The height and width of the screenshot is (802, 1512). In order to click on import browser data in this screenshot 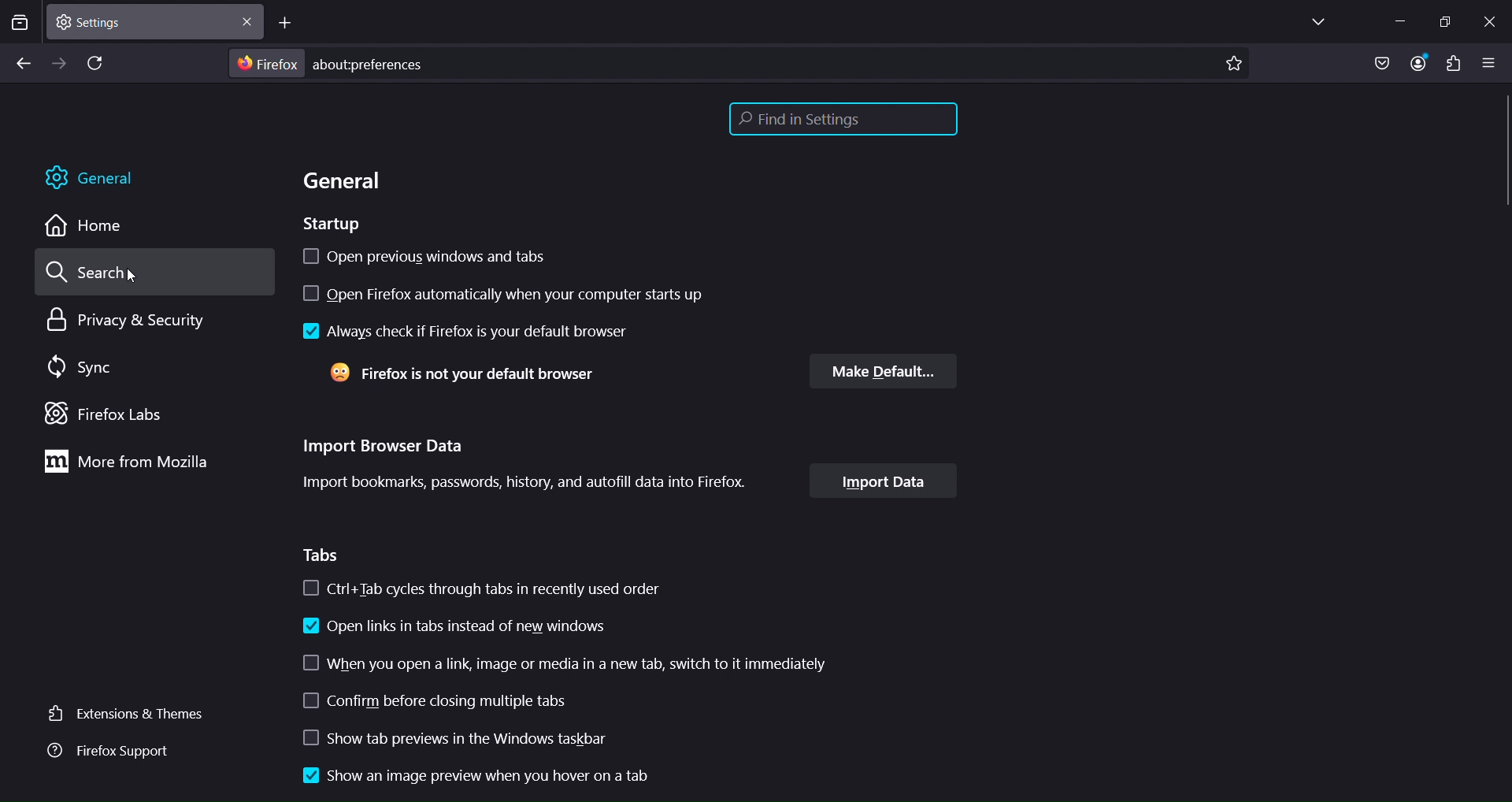, I will do `click(535, 464)`.